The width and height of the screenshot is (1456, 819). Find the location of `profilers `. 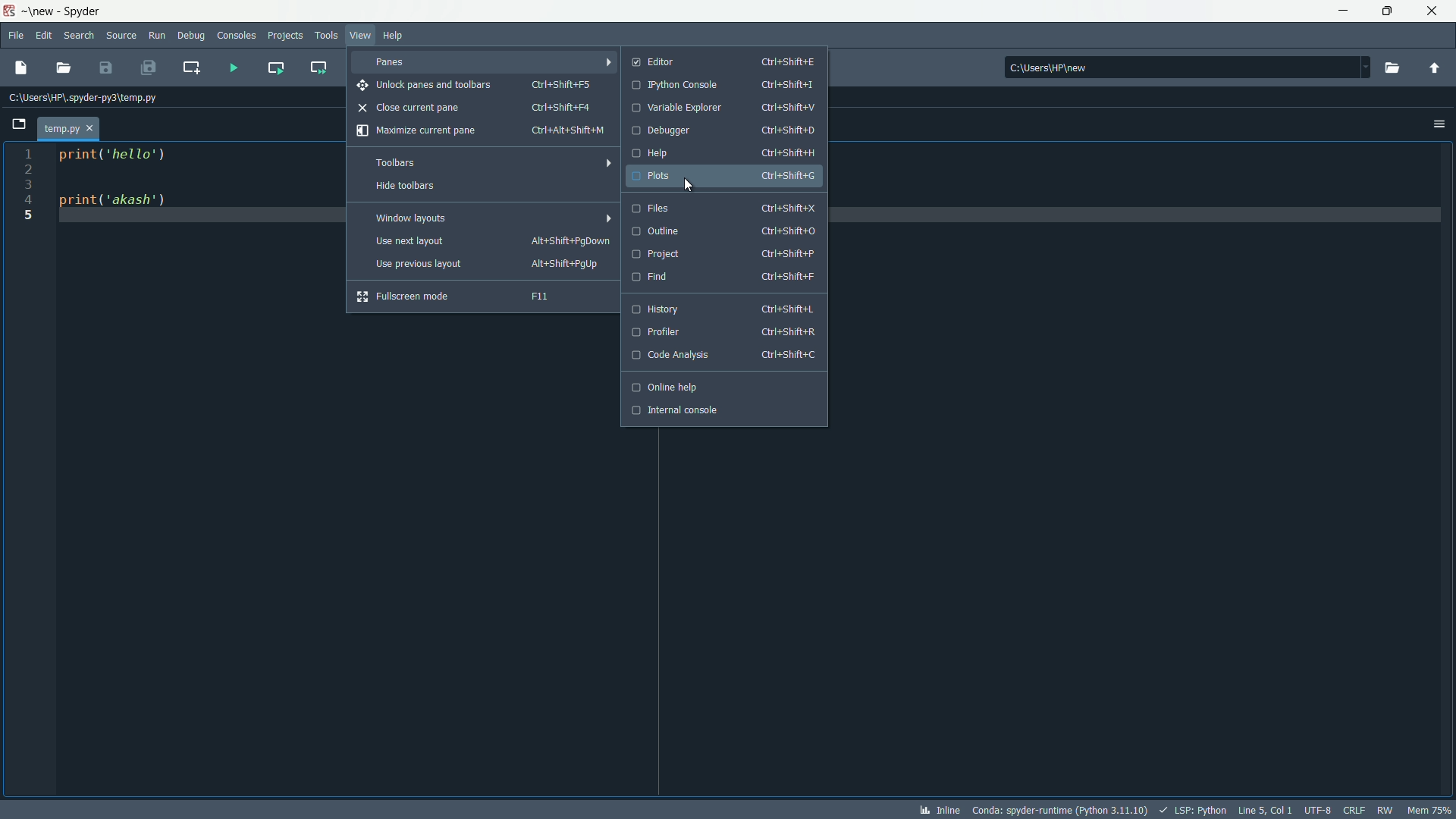

profilers  is located at coordinates (720, 332).